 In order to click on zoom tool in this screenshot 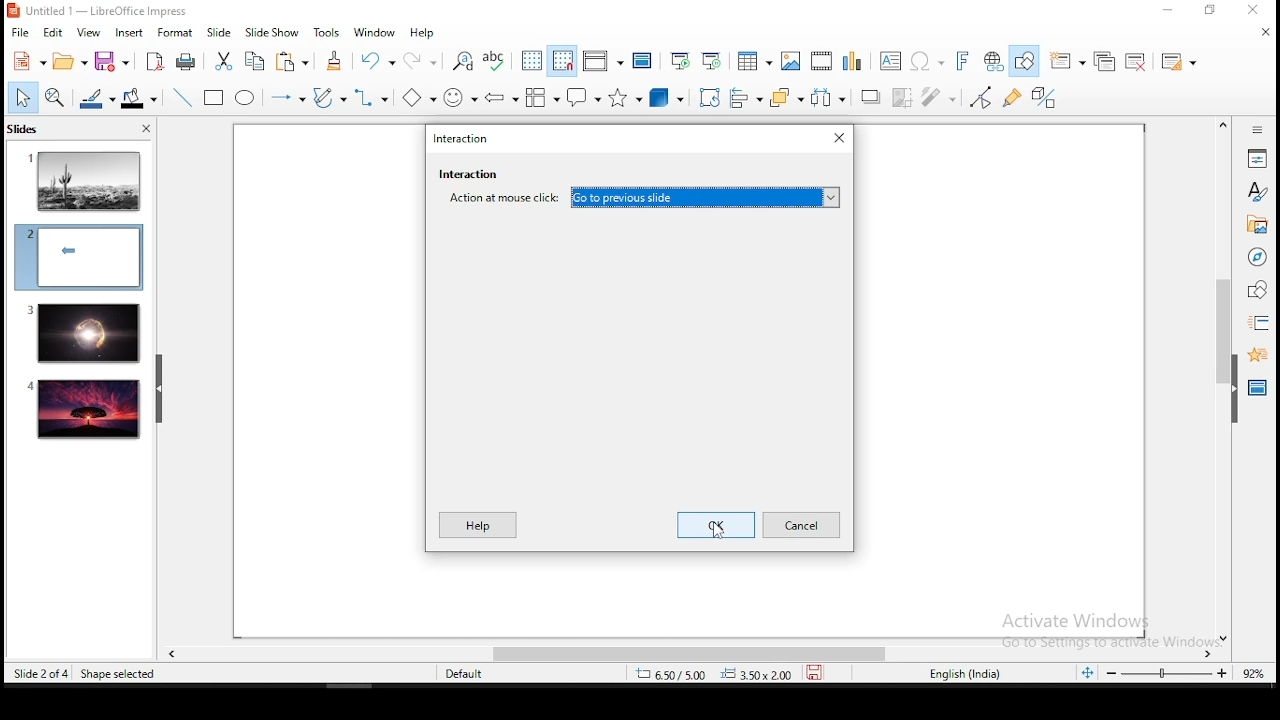, I will do `click(55, 99)`.